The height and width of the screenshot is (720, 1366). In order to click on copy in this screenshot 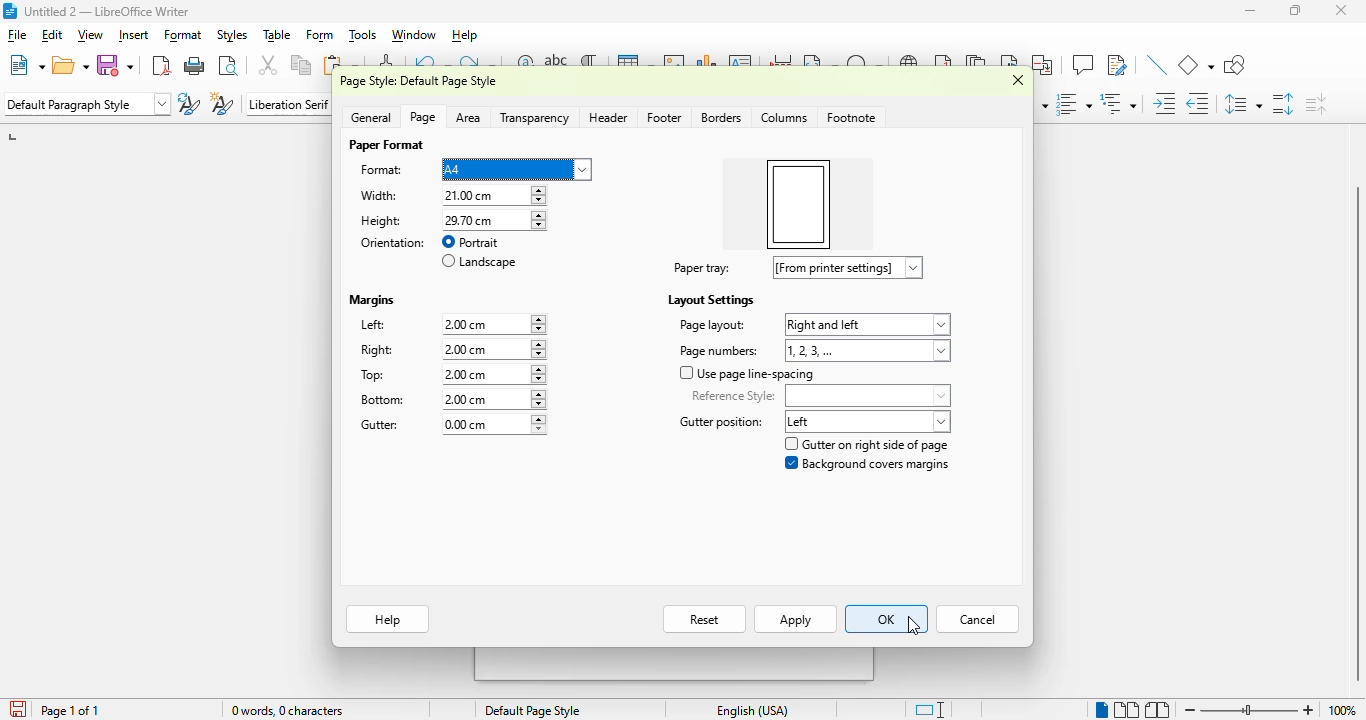, I will do `click(301, 65)`.